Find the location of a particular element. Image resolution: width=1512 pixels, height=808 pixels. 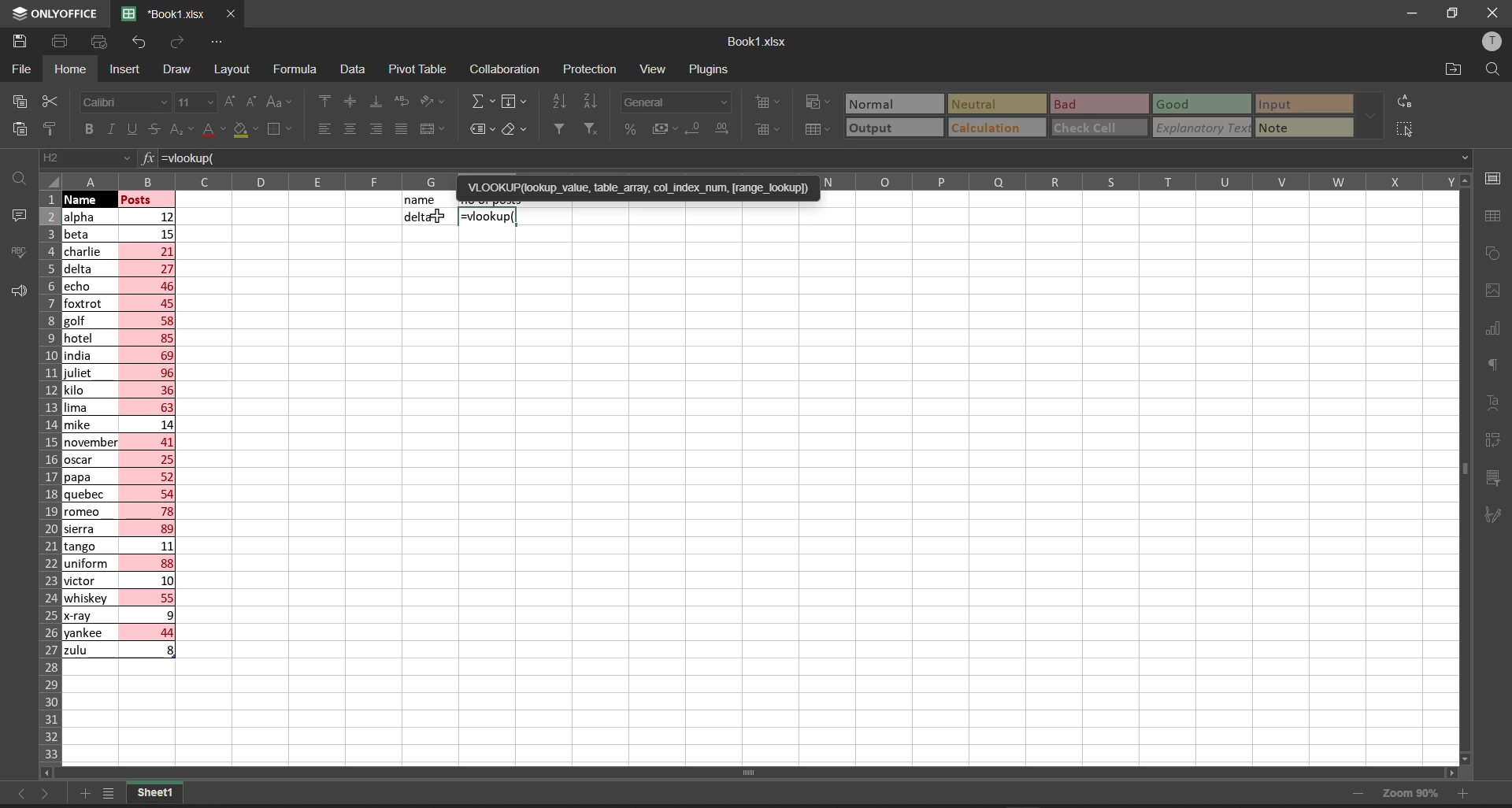

feedback and support is located at coordinates (14, 291).